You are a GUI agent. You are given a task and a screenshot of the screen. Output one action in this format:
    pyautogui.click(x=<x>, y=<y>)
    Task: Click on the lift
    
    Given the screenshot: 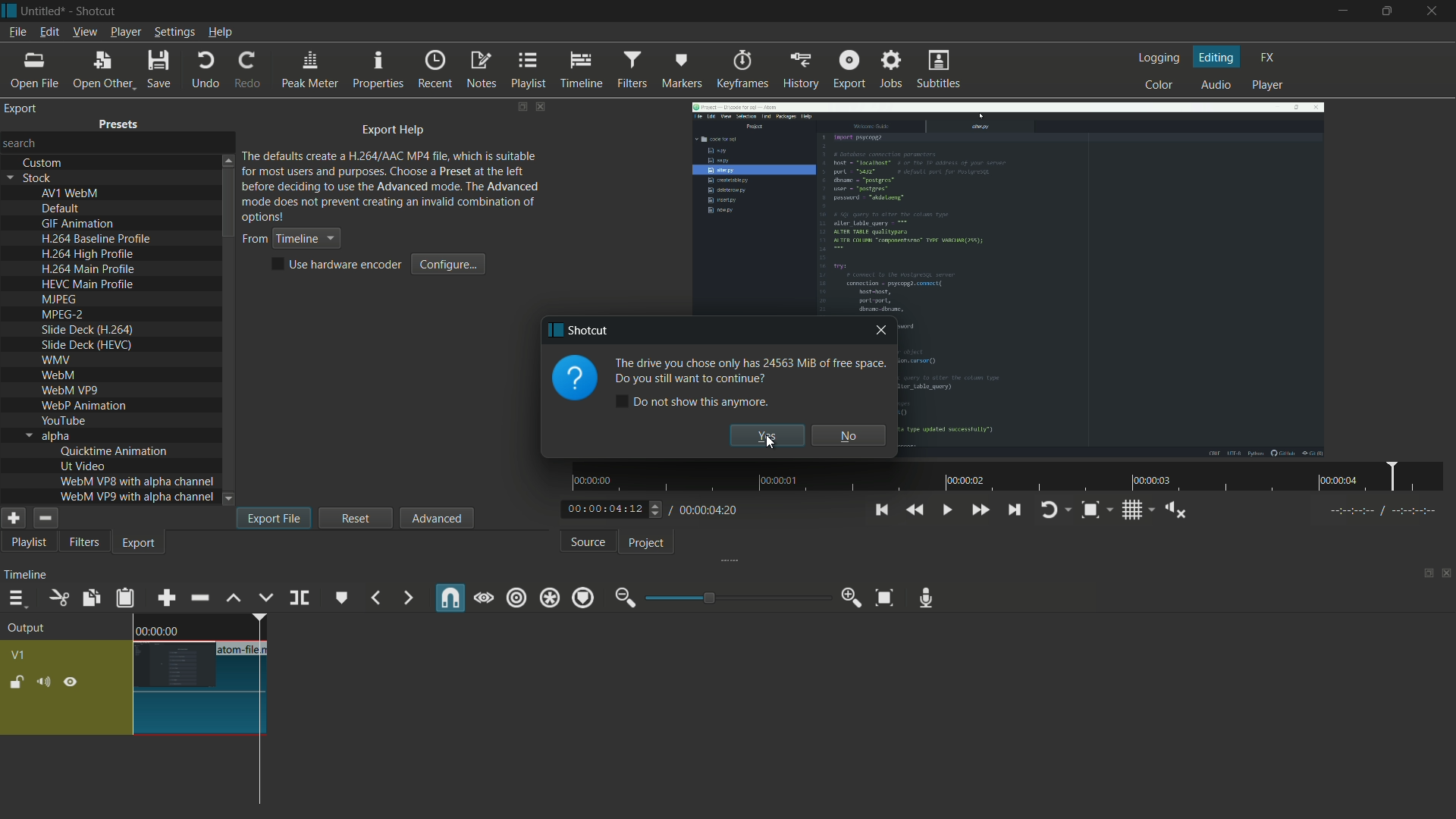 What is the action you would take?
    pyautogui.click(x=234, y=599)
    